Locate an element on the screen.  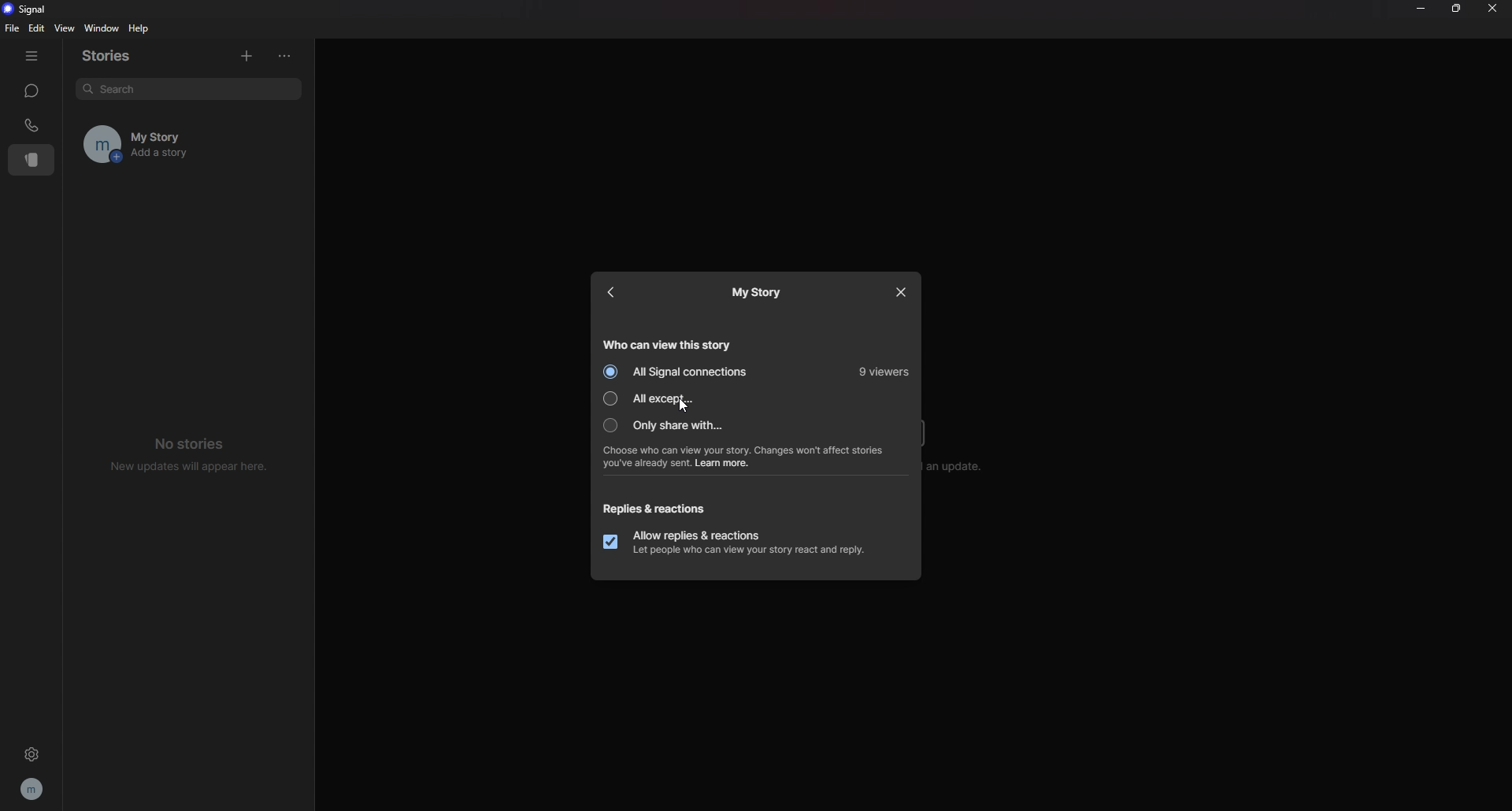
9 viewers is located at coordinates (883, 373).